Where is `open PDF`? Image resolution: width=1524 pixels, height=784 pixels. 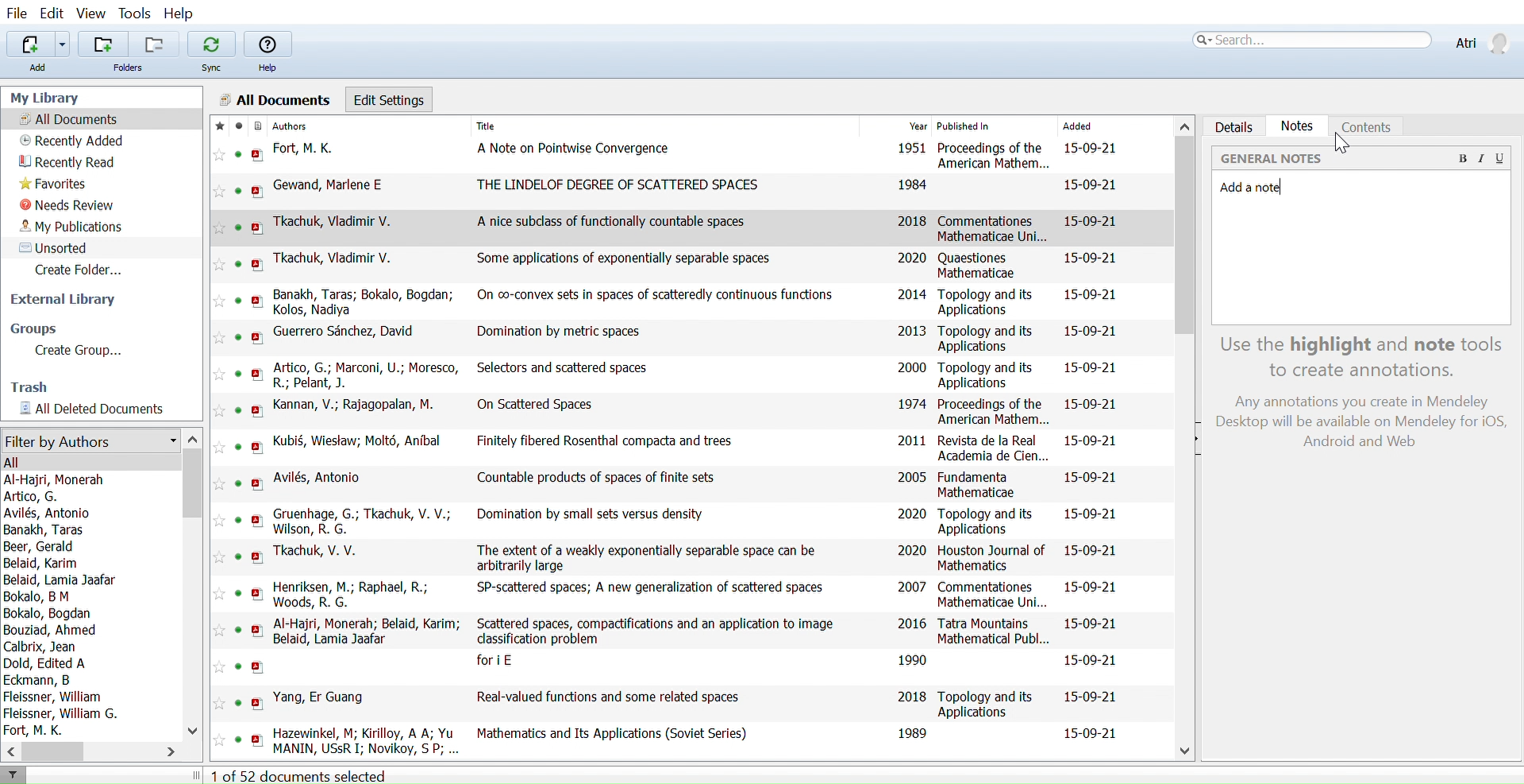
open PDF is located at coordinates (258, 704).